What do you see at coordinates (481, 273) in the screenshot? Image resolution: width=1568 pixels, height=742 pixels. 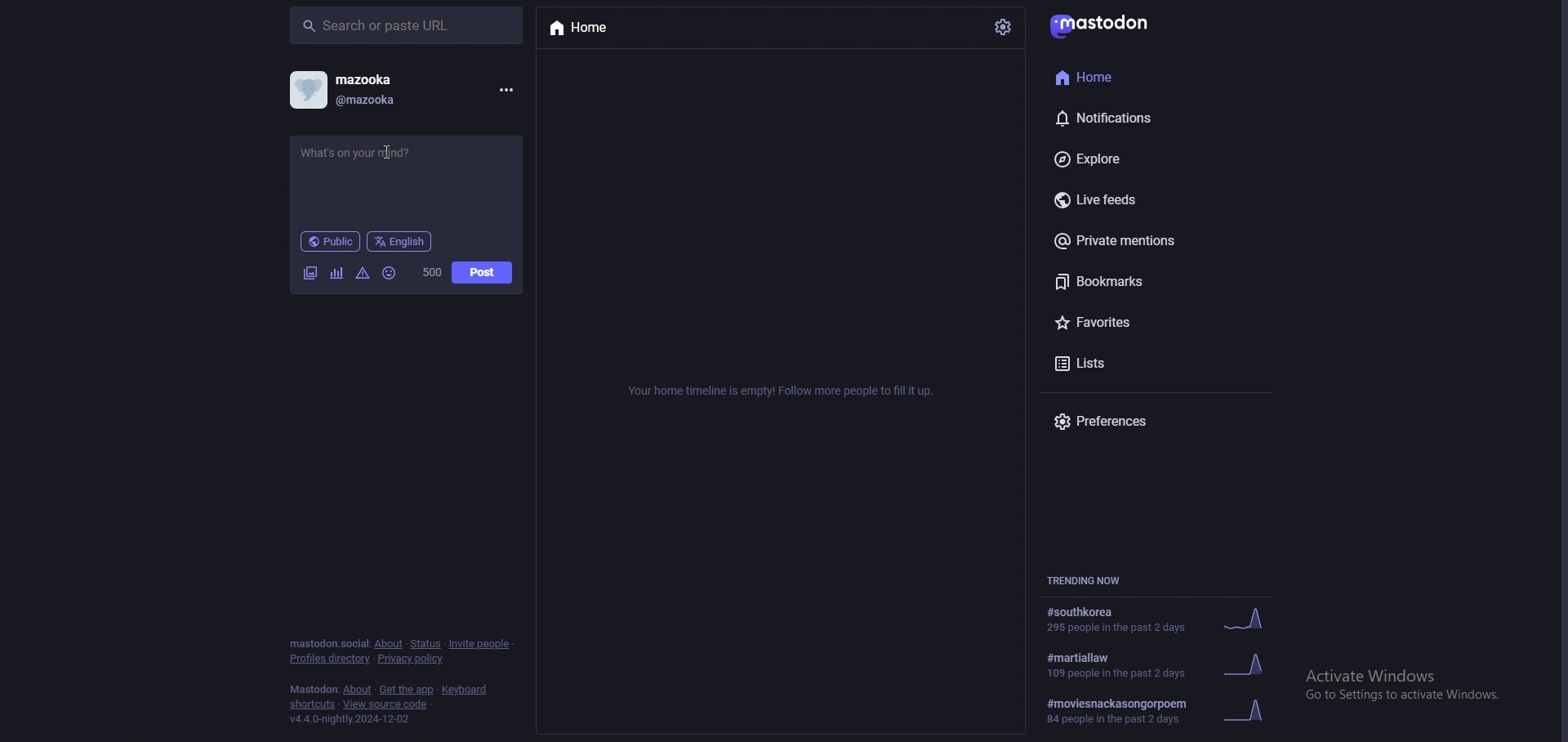 I see `post` at bounding box center [481, 273].